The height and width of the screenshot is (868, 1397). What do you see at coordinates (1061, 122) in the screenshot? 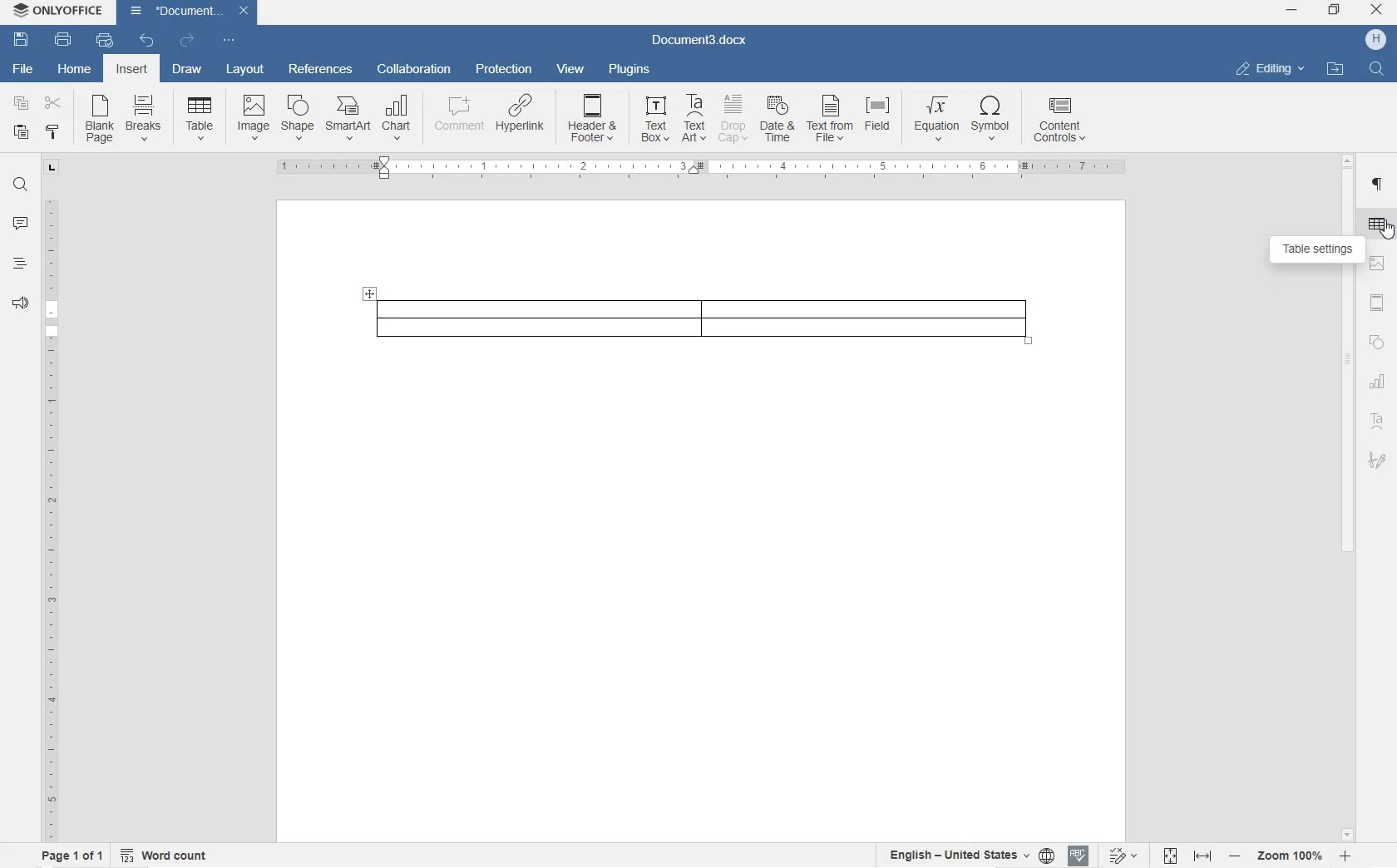
I see `CONTENT CONTROLS` at bounding box center [1061, 122].